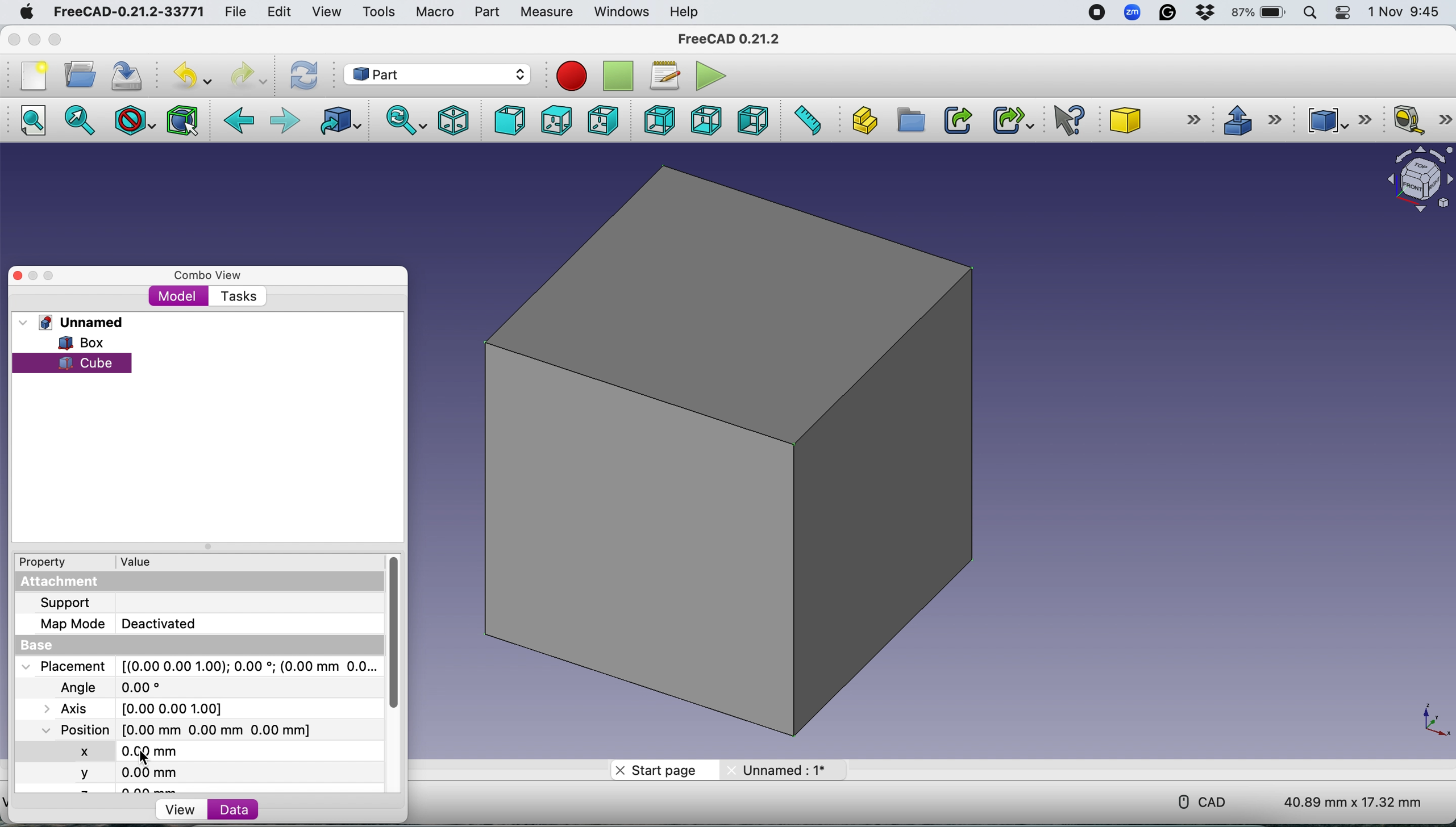  What do you see at coordinates (486, 12) in the screenshot?
I see `Part` at bounding box center [486, 12].